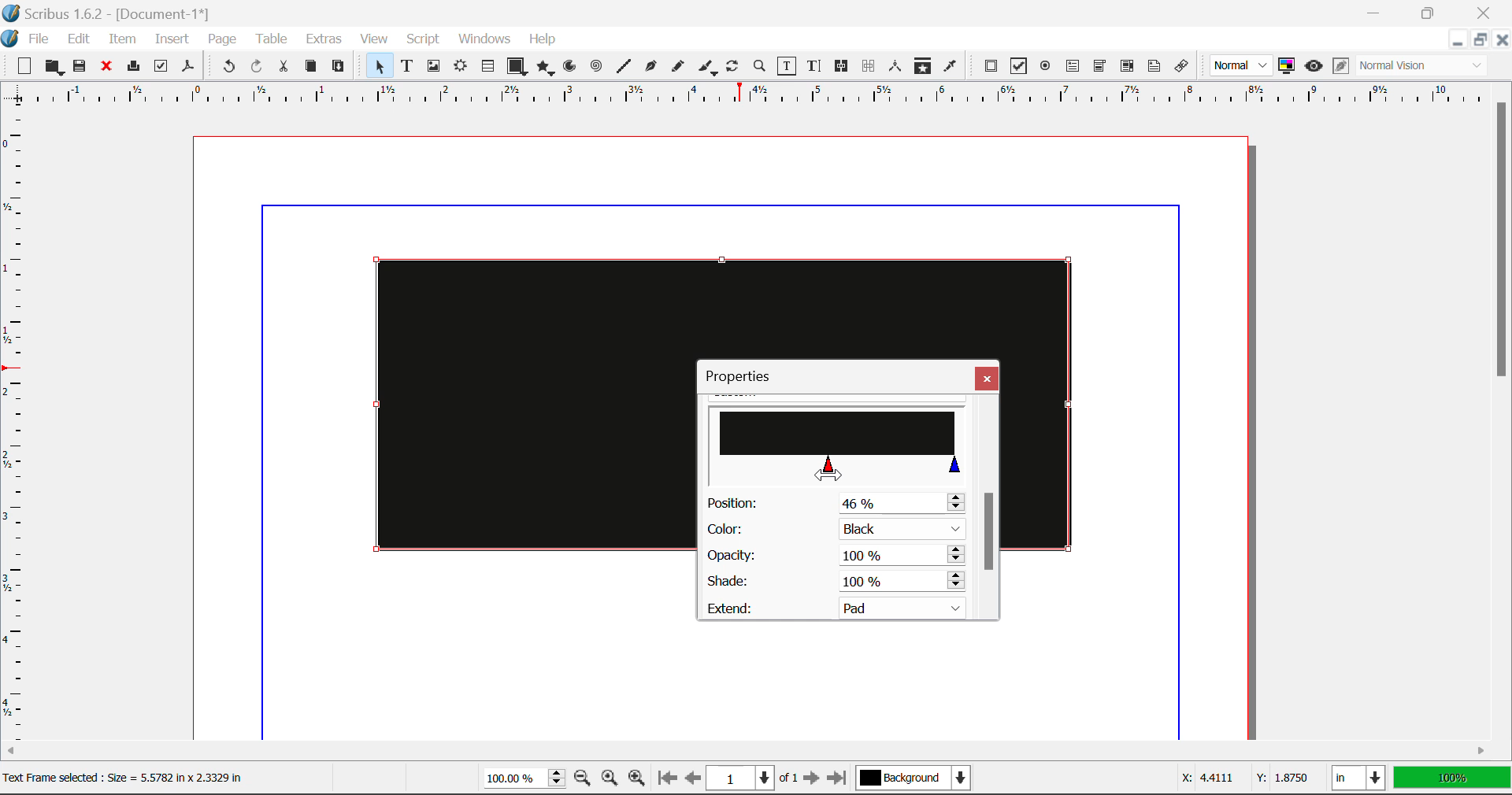 The width and height of the screenshot is (1512, 795). Describe the element at coordinates (988, 508) in the screenshot. I see `Scroll Bar` at that location.